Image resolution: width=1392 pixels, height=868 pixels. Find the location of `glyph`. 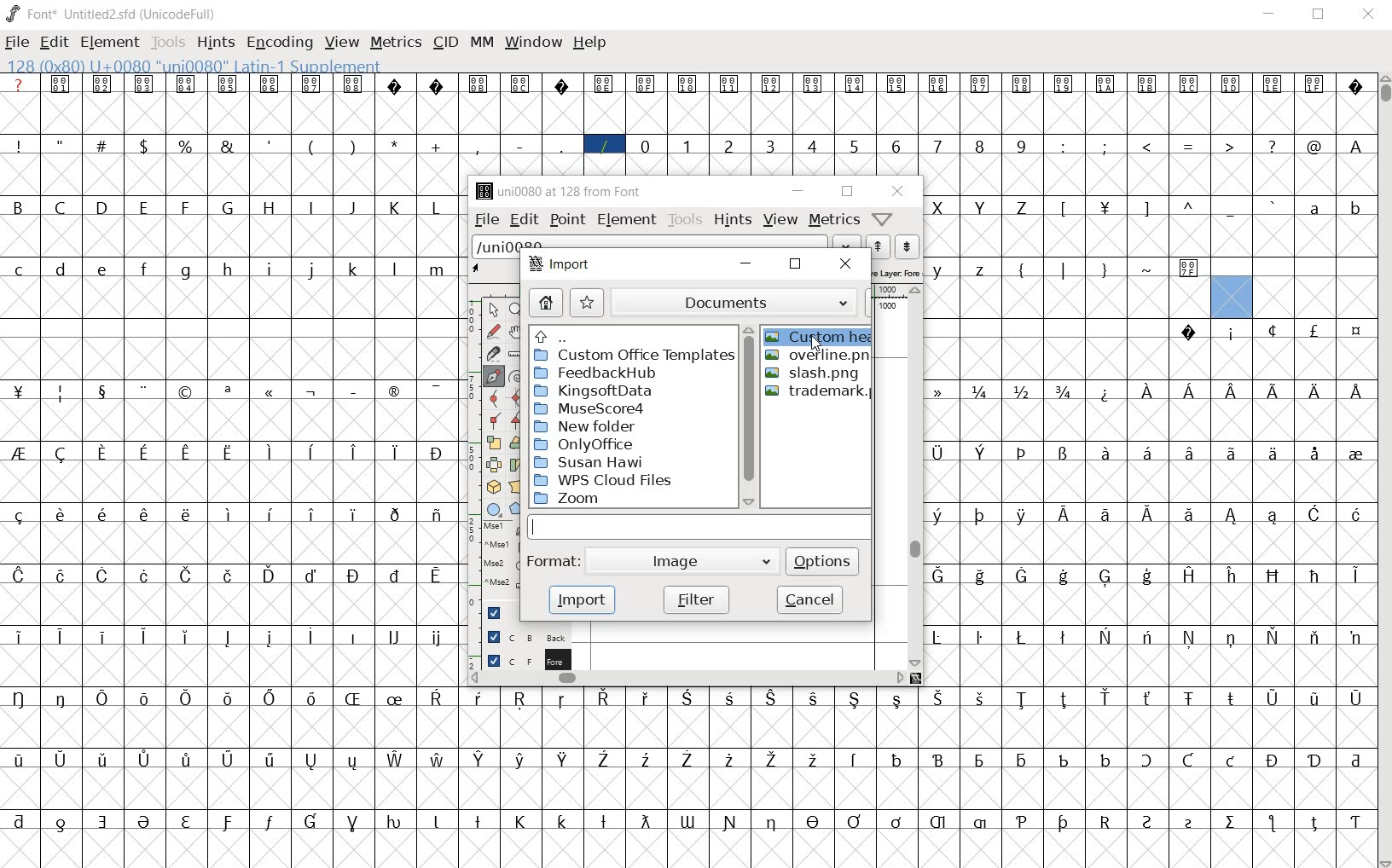

glyph is located at coordinates (937, 822).